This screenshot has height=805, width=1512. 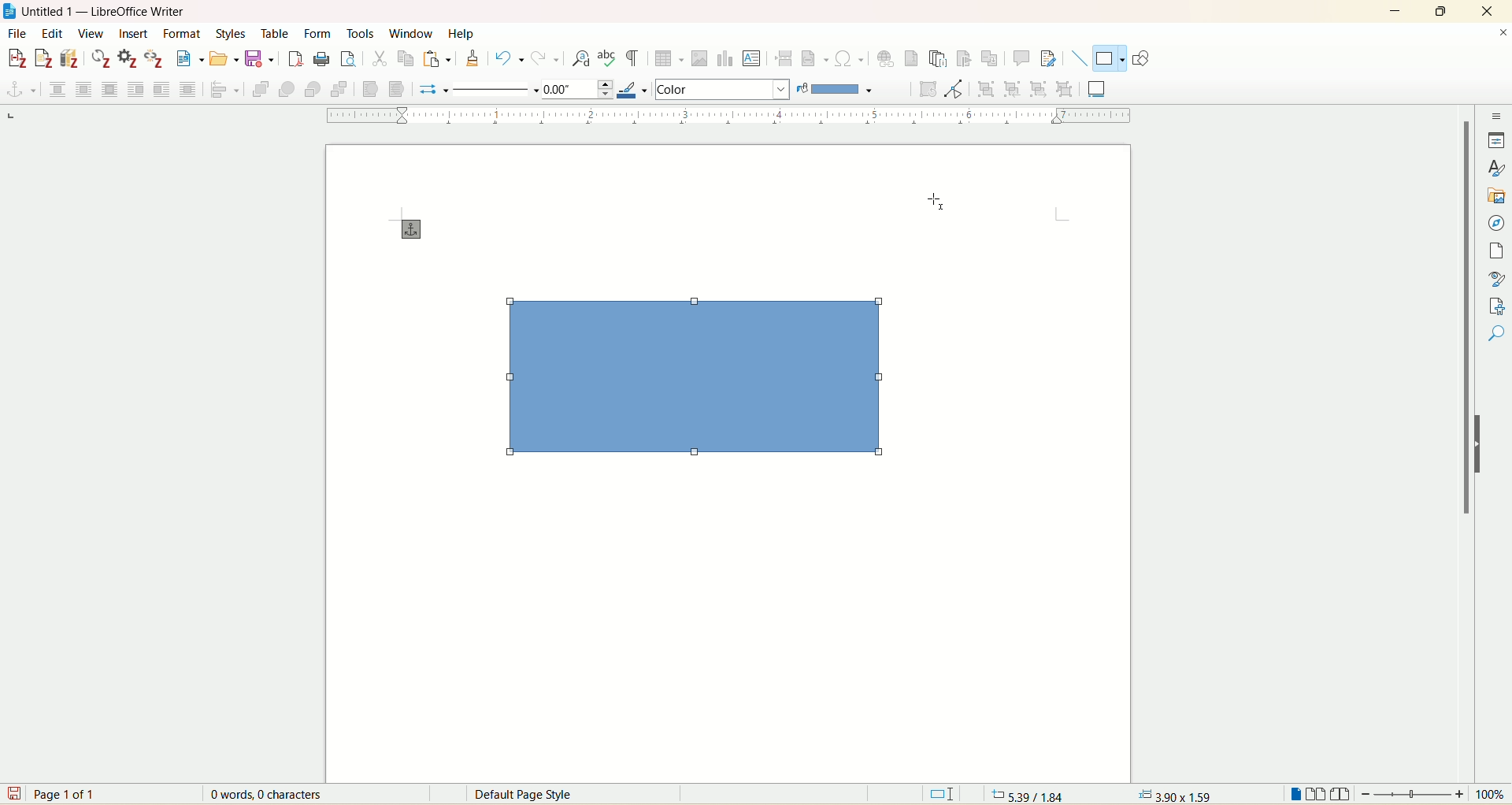 I want to click on close document, so click(x=1503, y=33).